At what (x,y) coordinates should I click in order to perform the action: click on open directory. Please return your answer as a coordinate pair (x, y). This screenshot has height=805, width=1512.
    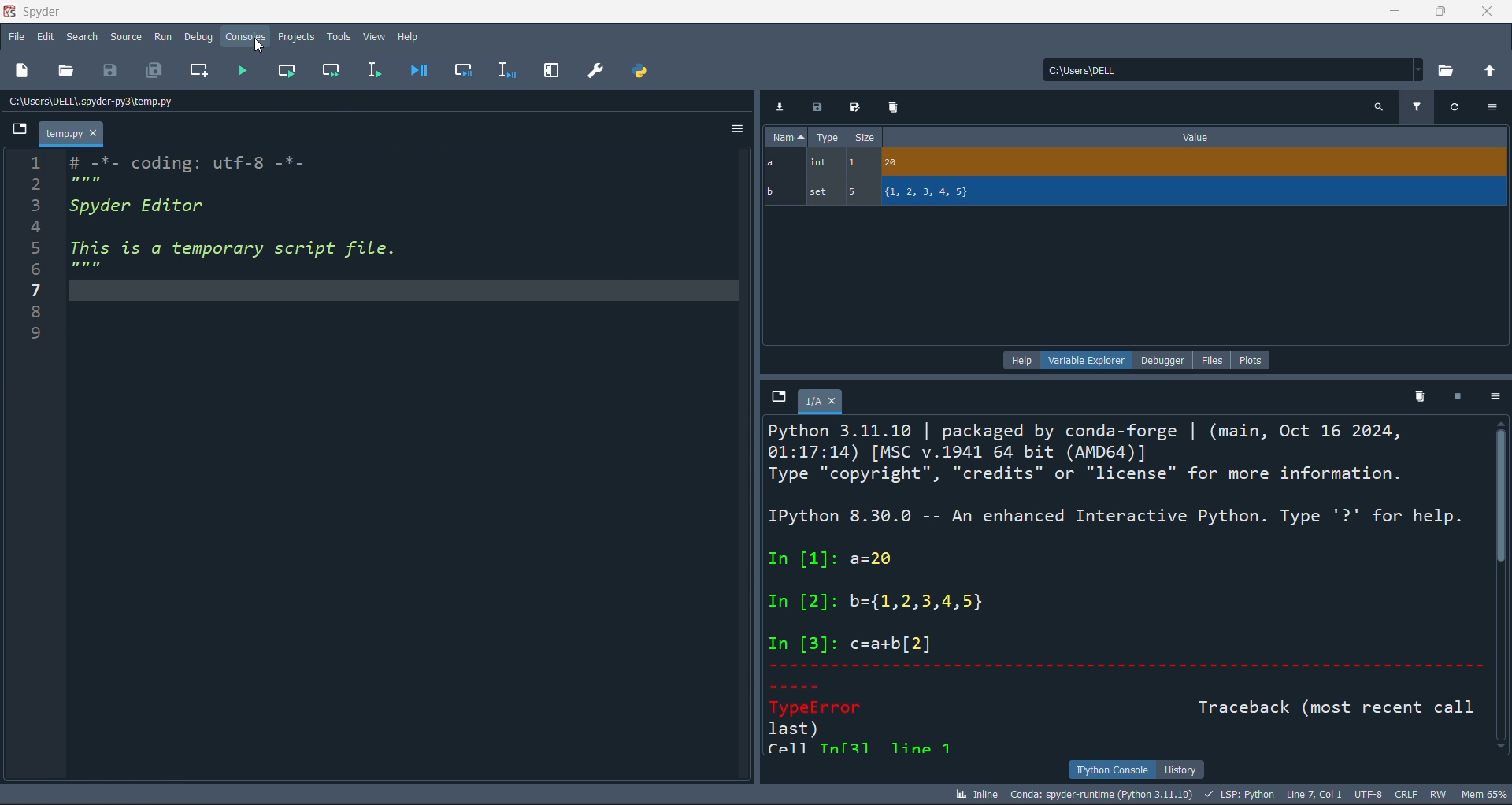
    Looking at the image, I should click on (1450, 72).